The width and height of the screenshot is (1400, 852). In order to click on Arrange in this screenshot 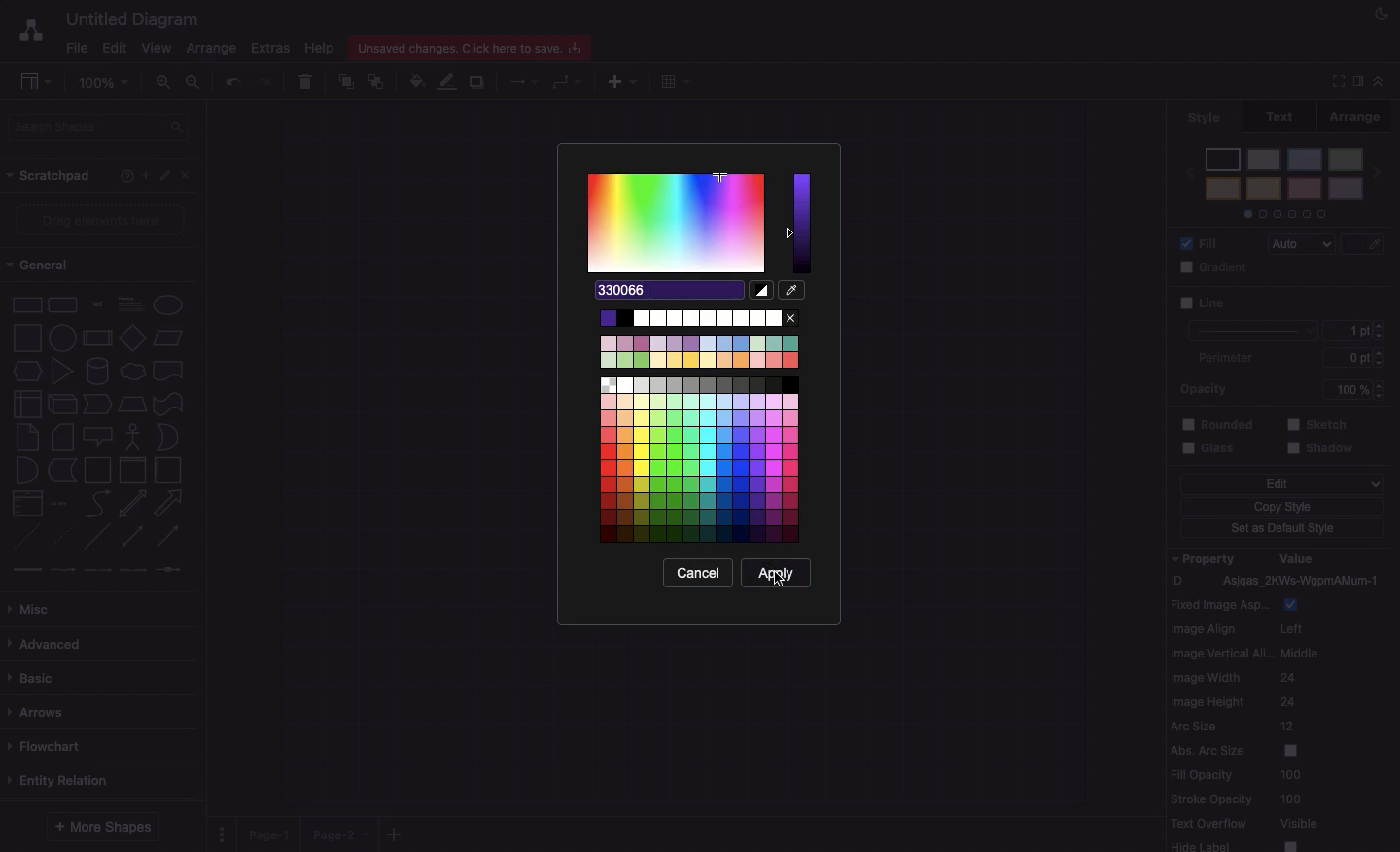, I will do `click(1364, 115)`.